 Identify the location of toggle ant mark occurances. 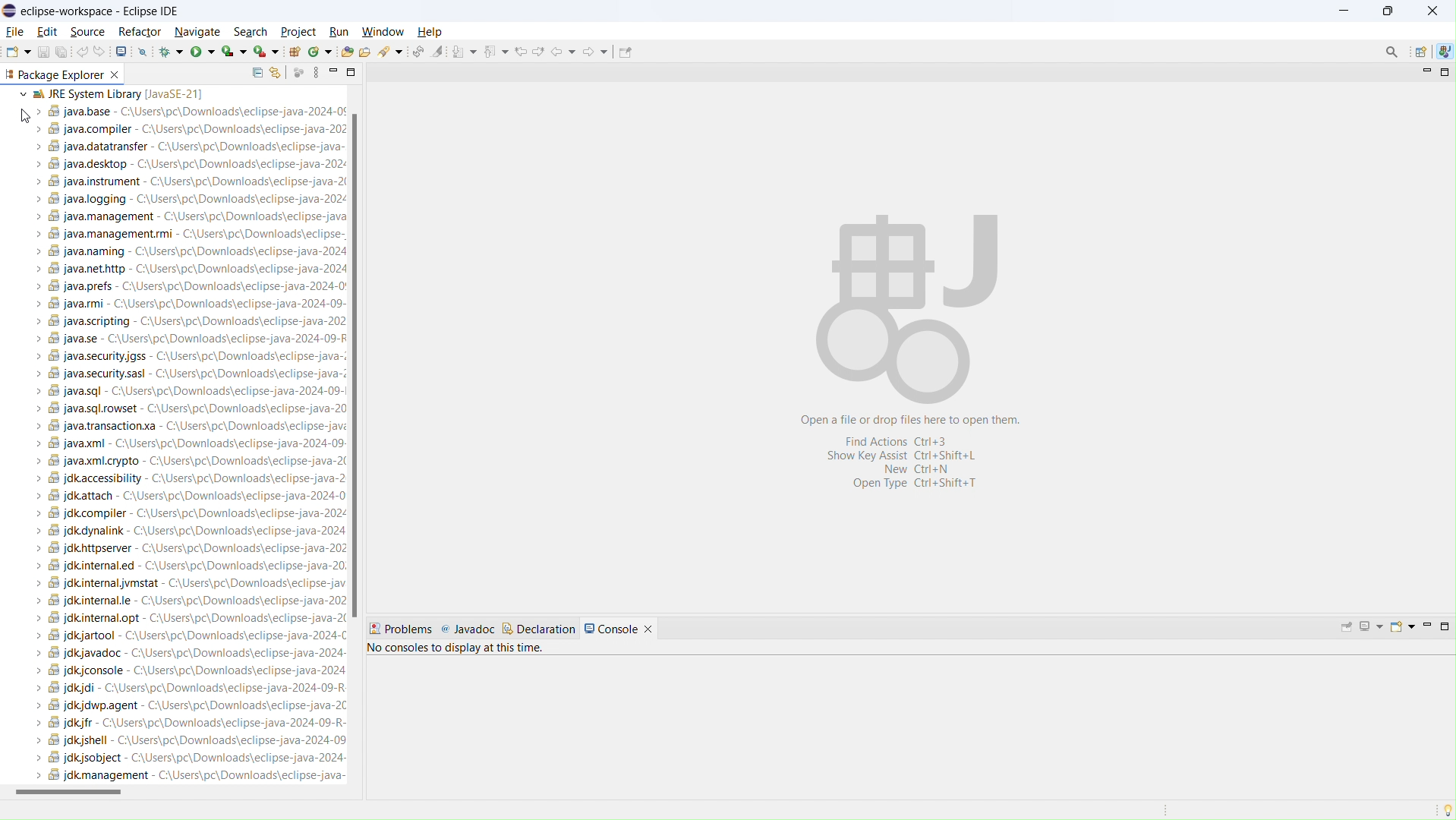
(438, 50).